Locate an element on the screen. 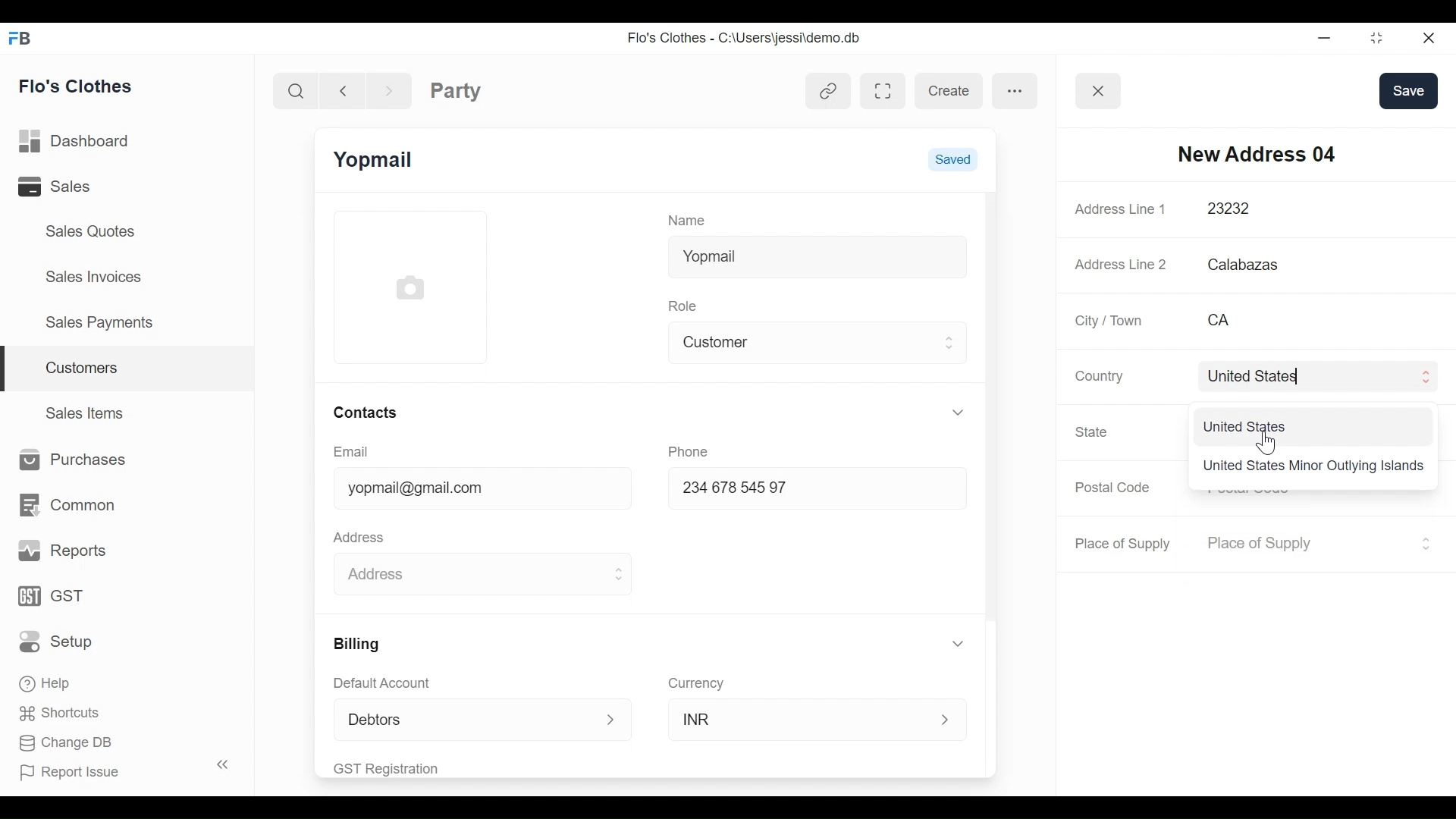 The width and height of the screenshot is (1456, 819). Role is located at coordinates (686, 304).